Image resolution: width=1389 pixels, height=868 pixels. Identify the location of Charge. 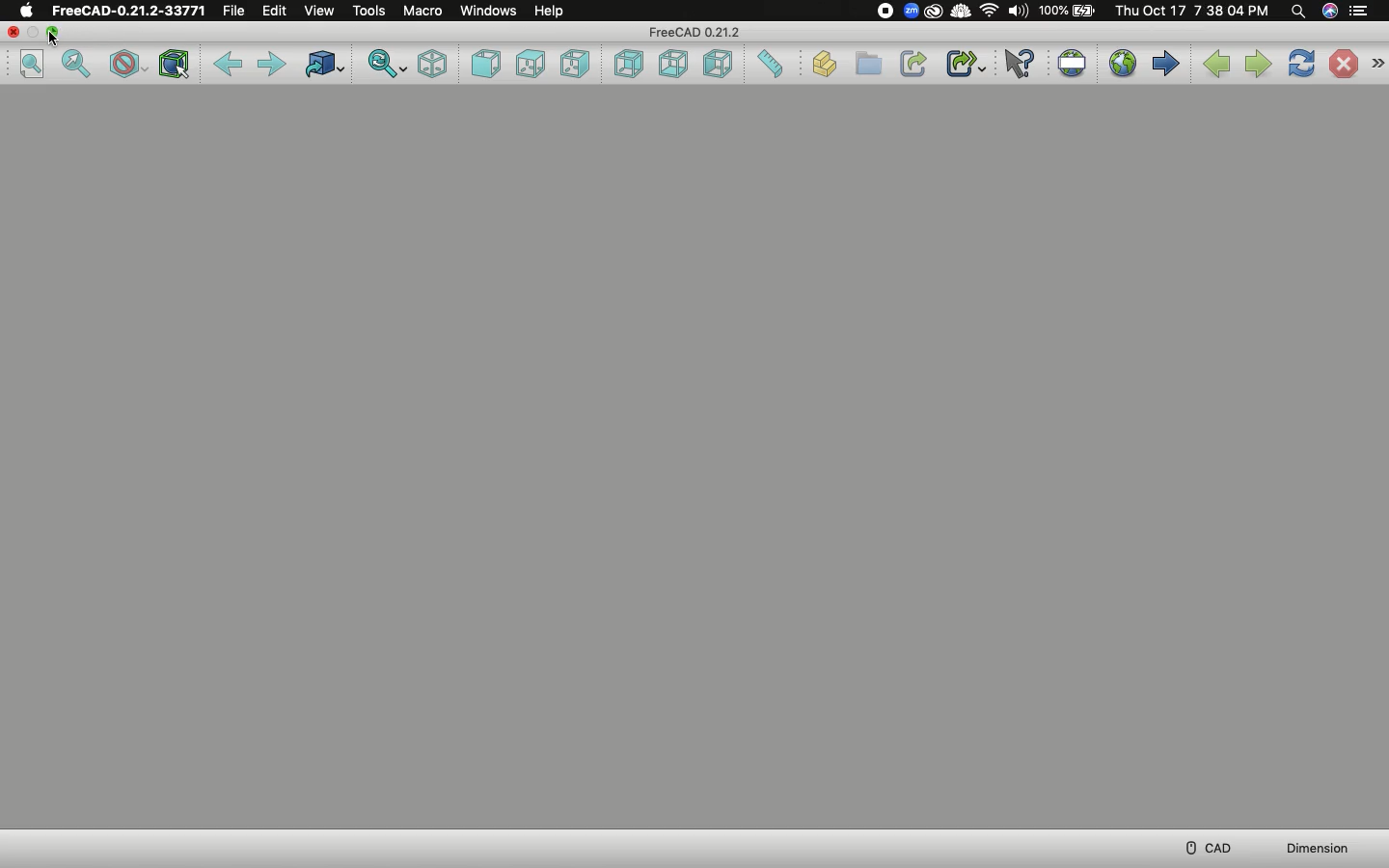
(1069, 10).